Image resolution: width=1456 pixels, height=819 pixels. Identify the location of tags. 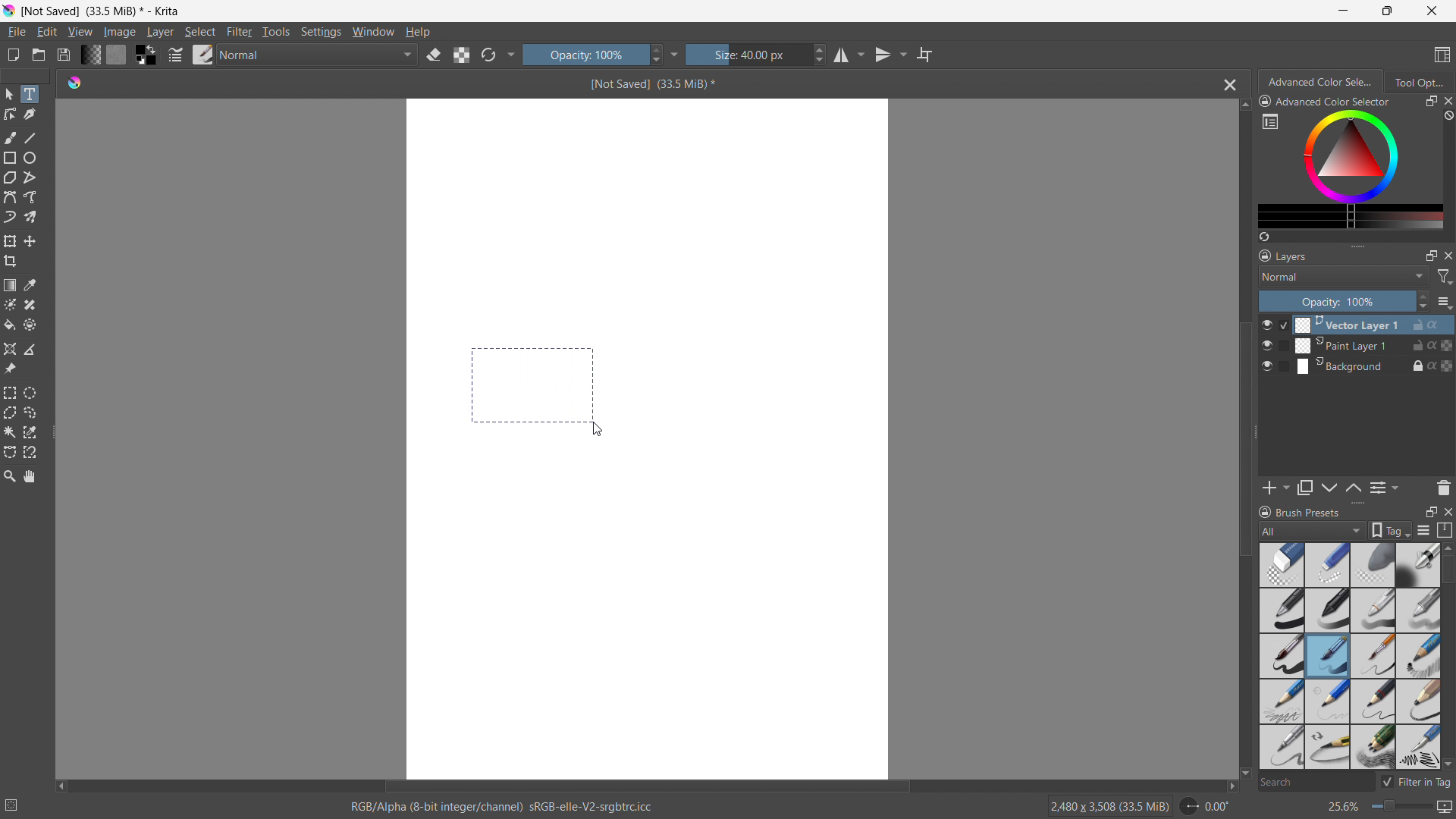
(1391, 530).